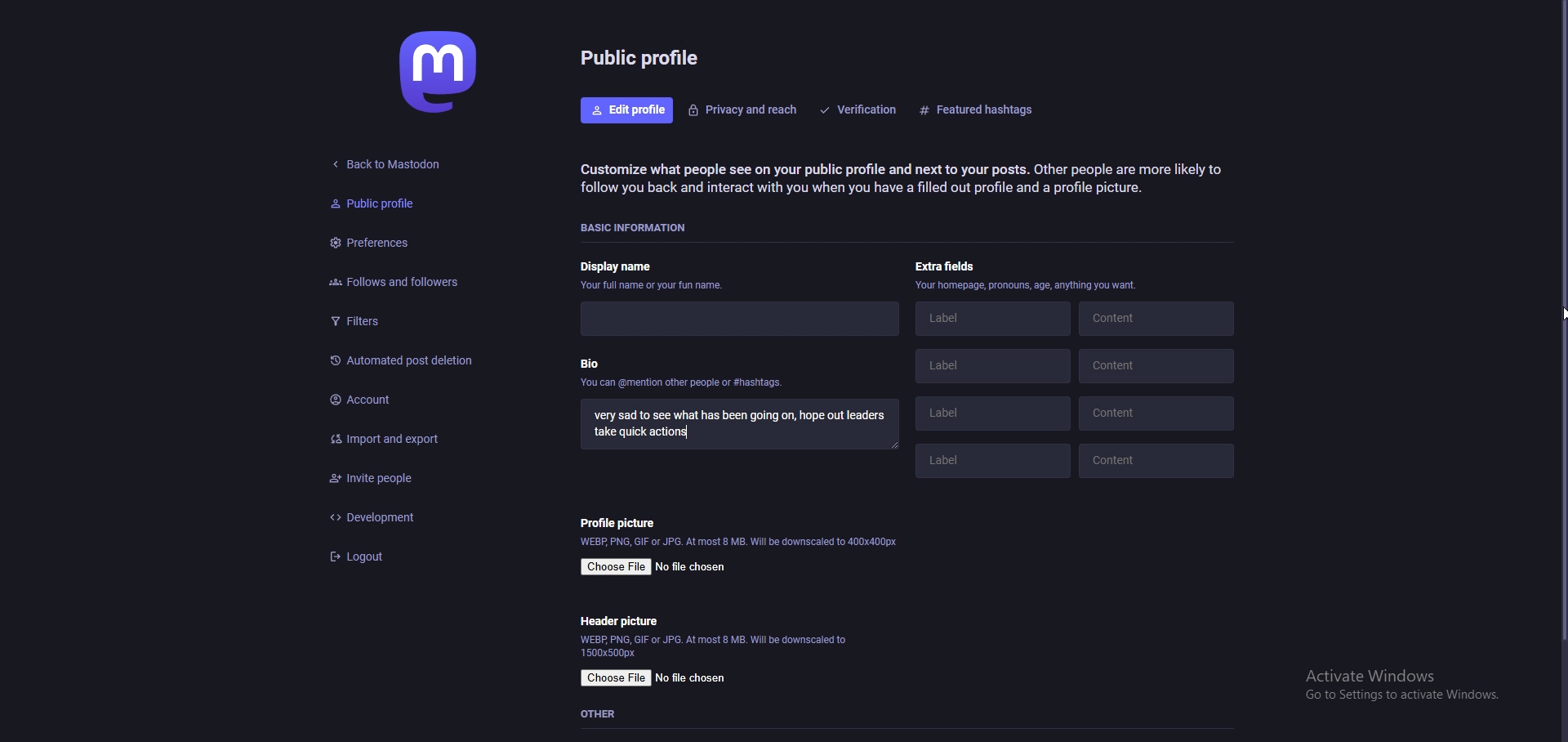  I want to click on windows activation prompt, so click(1399, 684).